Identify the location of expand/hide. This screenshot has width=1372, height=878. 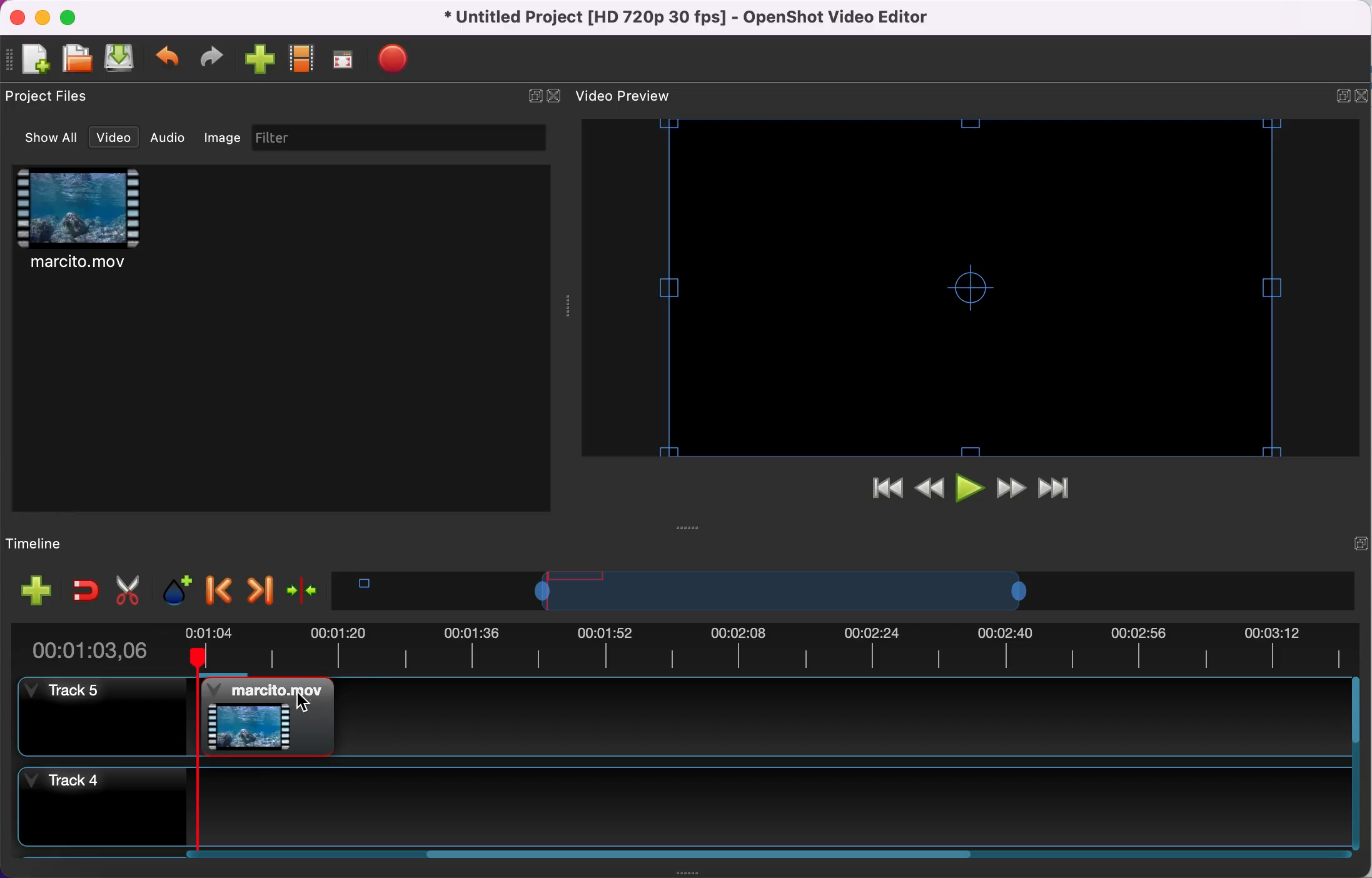
(1342, 551).